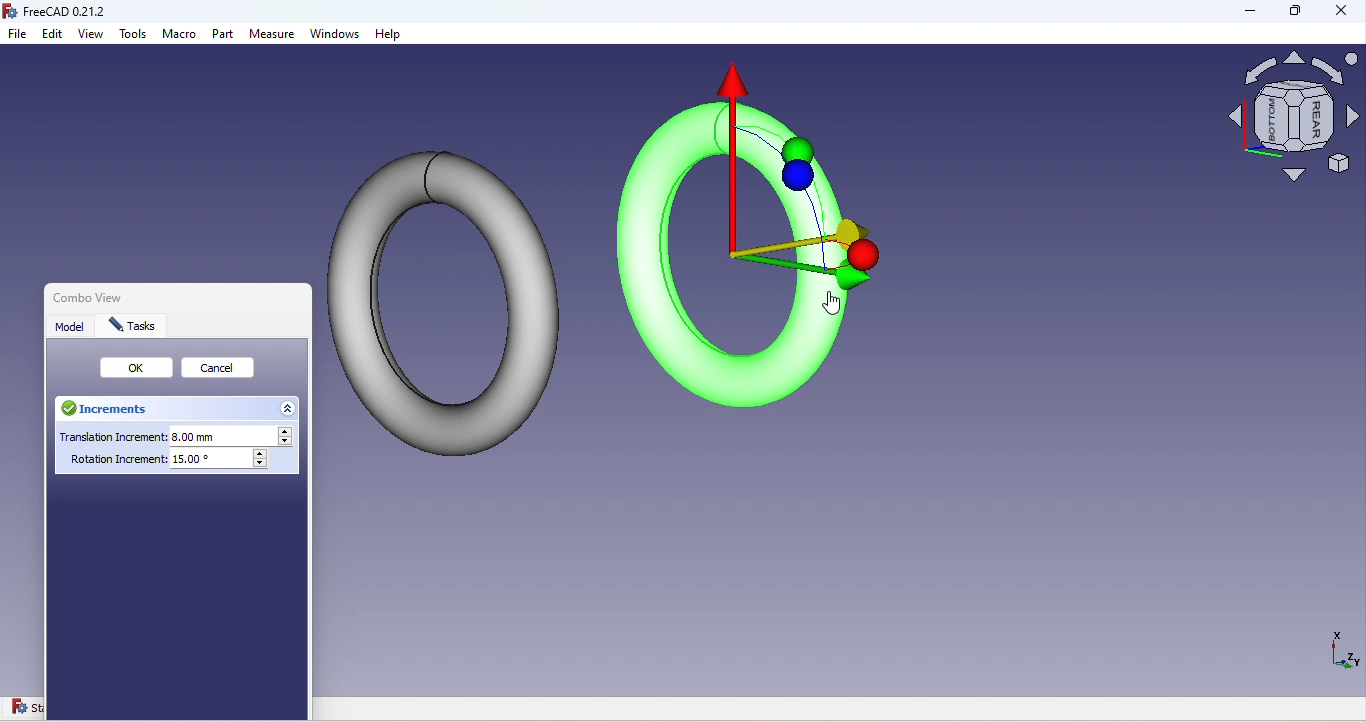 The width and height of the screenshot is (1366, 722). Describe the element at coordinates (134, 326) in the screenshot. I see `Tasks` at that location.